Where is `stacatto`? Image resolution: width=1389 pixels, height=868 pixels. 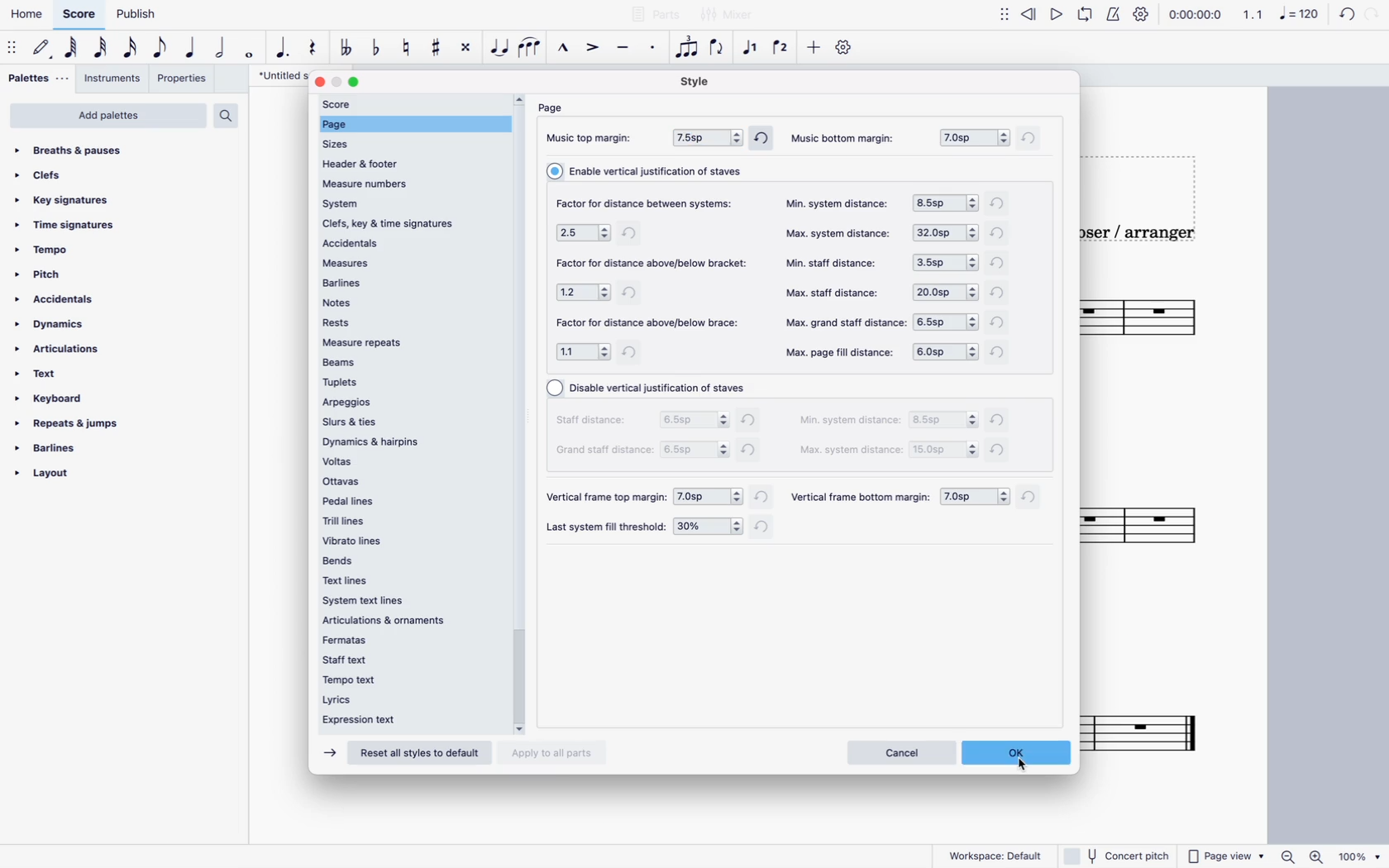 stacatto is located at coordinates (652, 50).